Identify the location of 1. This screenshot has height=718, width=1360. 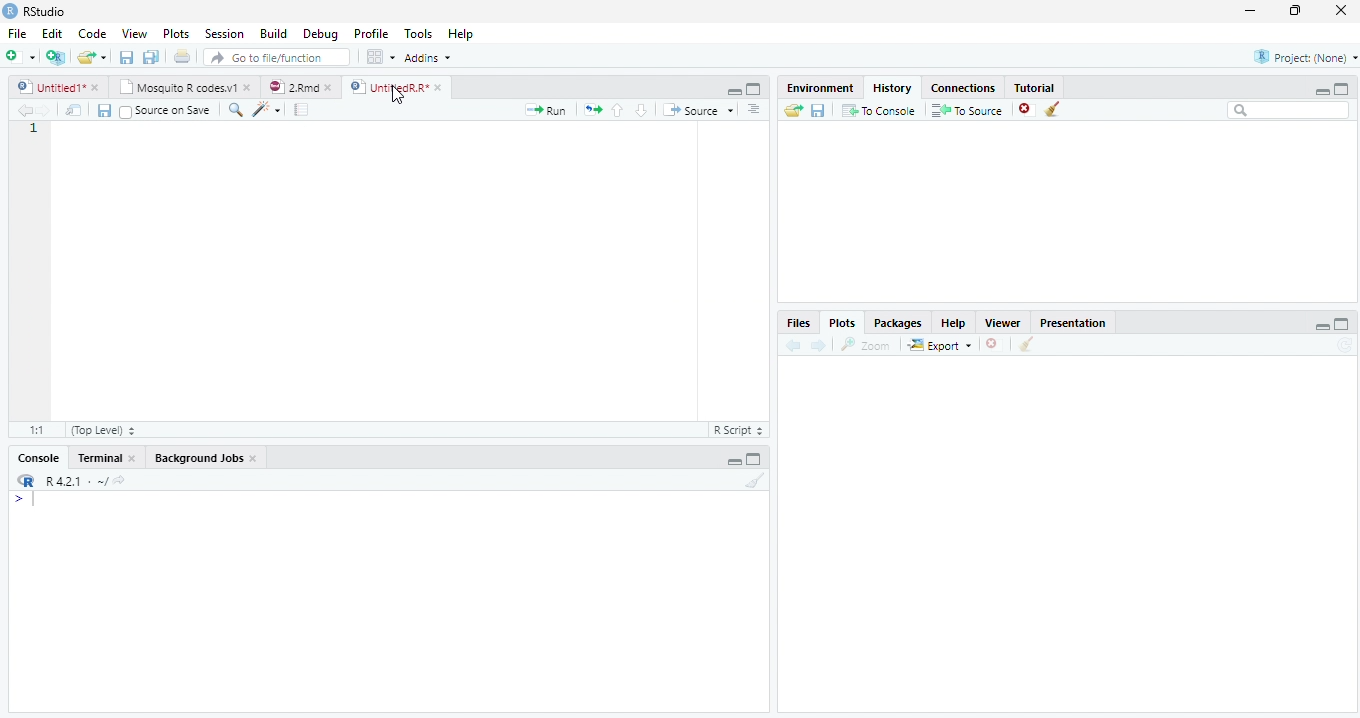
(31, 130).